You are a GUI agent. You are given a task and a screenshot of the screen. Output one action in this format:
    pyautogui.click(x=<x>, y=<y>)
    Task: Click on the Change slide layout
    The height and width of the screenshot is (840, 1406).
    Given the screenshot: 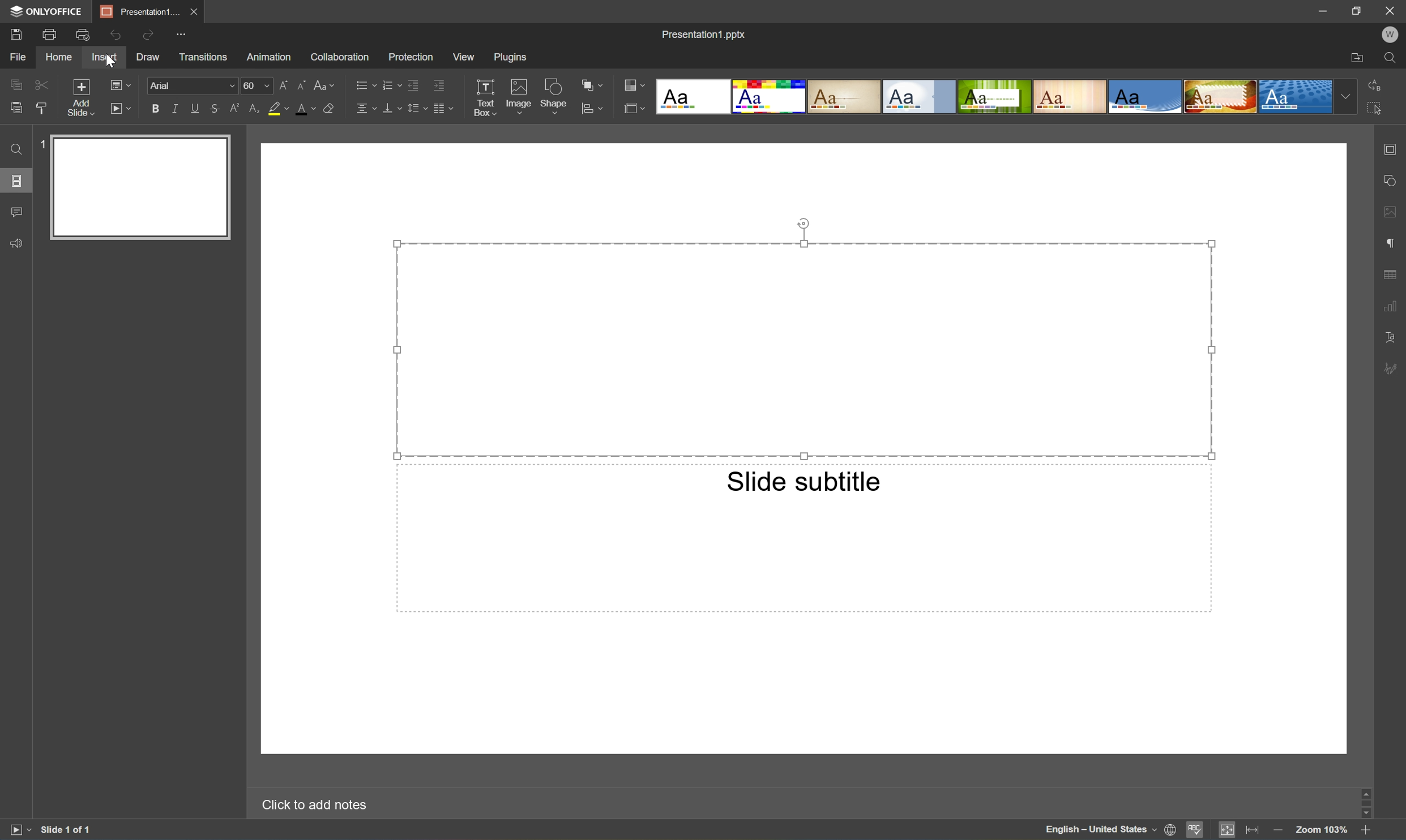 What is the action you would take?
    pyautogui.click(x=121, y=84)
    